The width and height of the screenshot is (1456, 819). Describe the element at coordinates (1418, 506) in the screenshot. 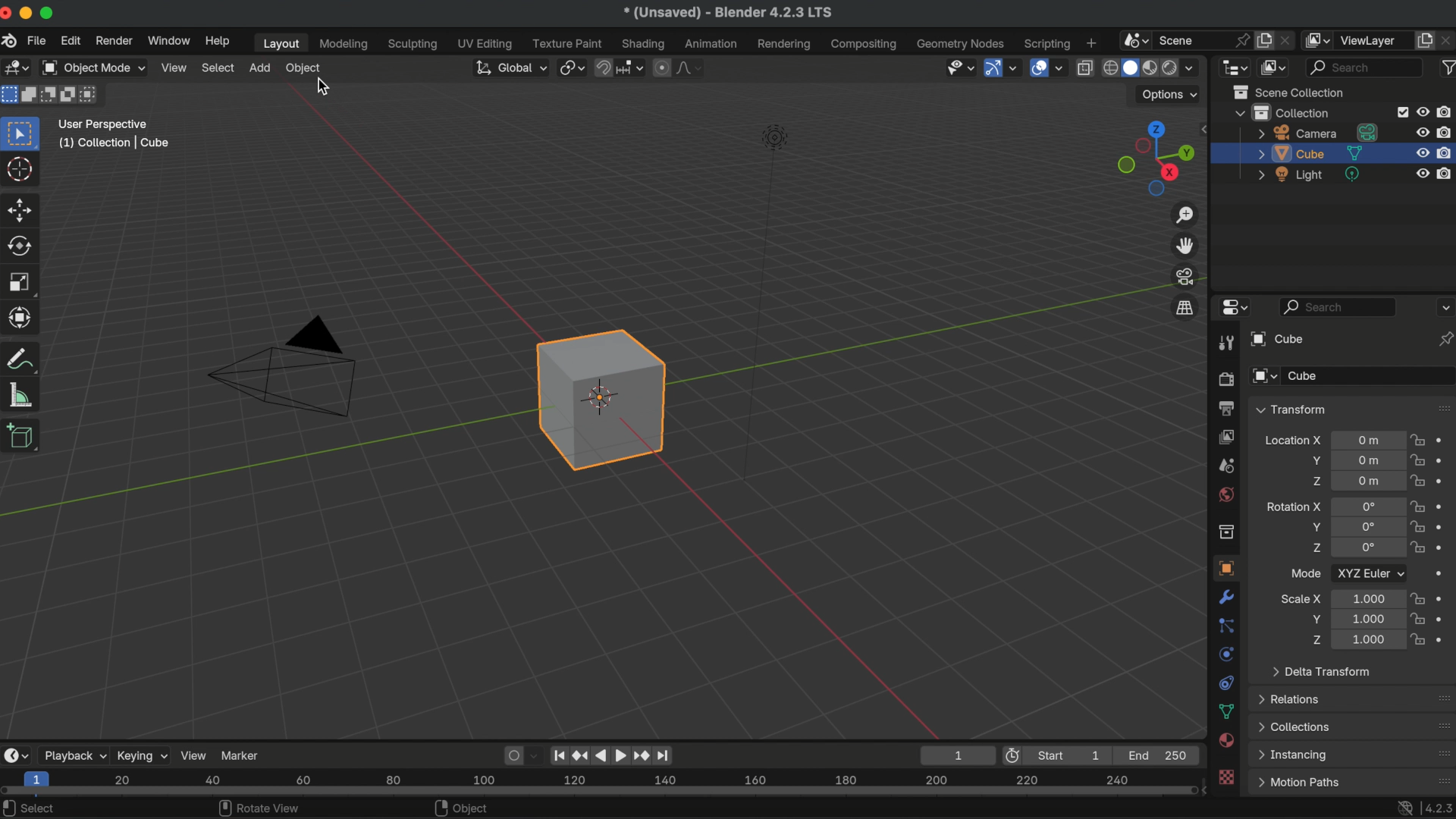

I see `lock rotation` at that location.